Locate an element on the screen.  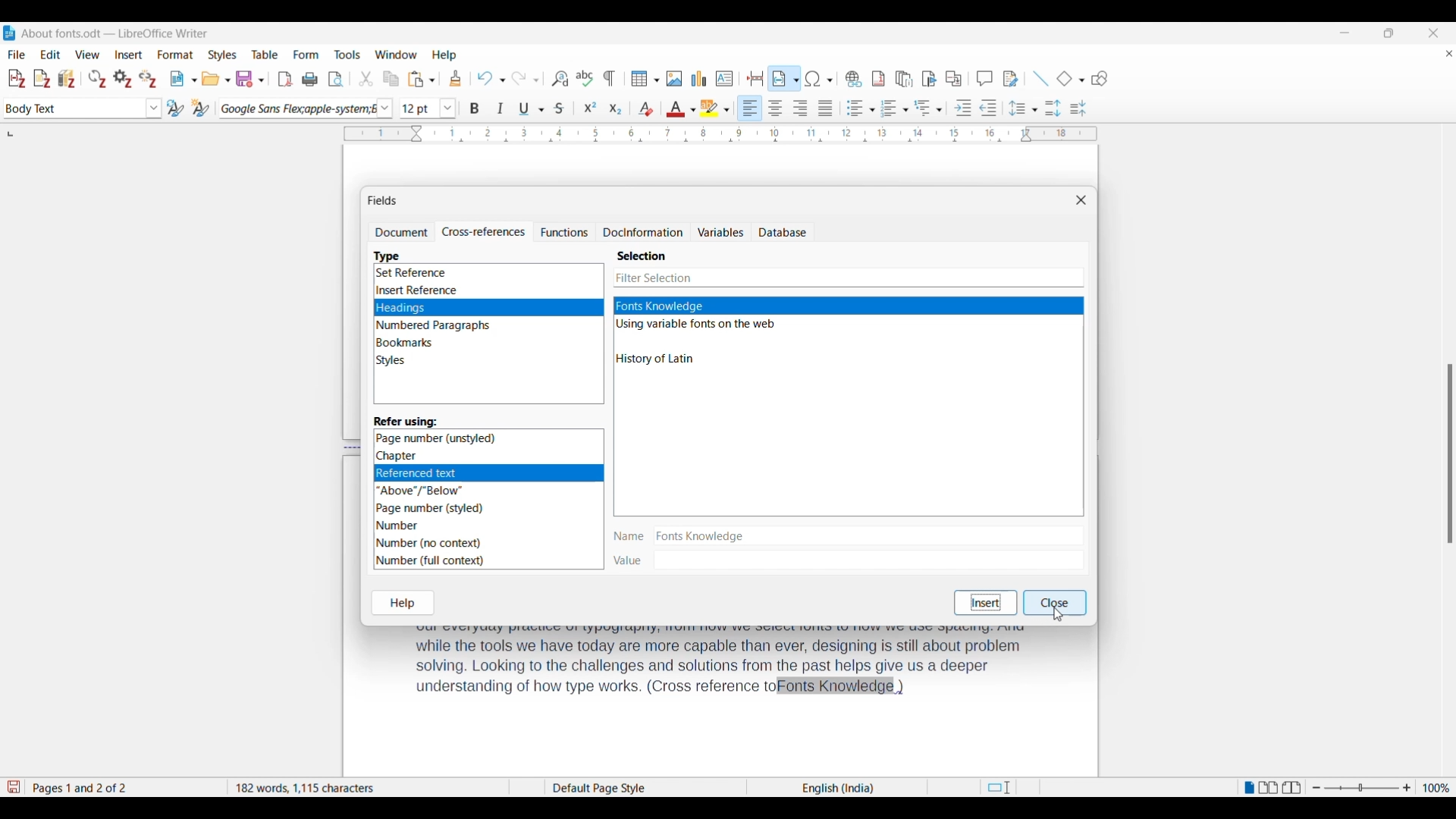
Insert bookmark is located at coordinates (930, 80).